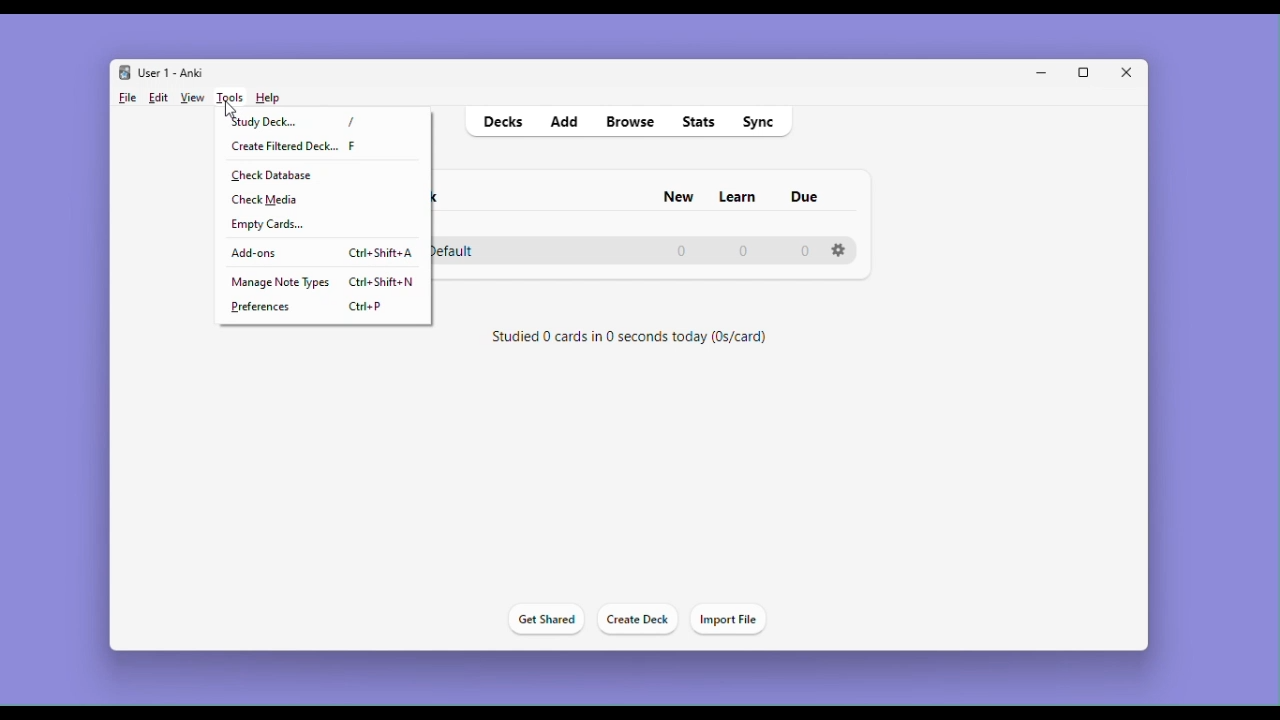 The image size is (1280, 720). What do you see at coordinates (268, 123) in the screenshot?
I see `Study deck` at bounding box center [268, 123].